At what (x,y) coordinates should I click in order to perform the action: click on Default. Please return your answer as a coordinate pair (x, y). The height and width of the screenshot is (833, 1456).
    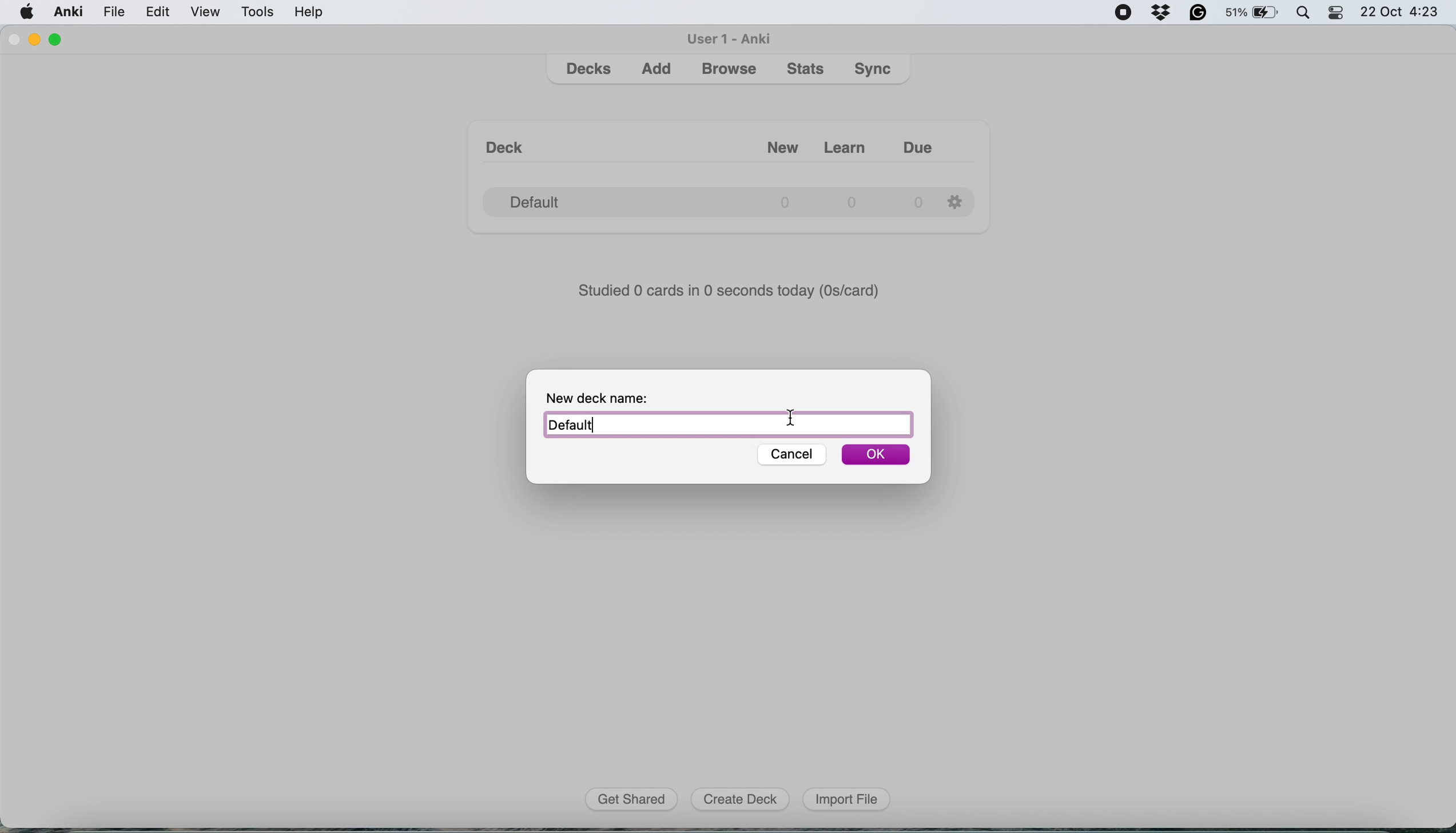
    Looking at the image, I should click on (702, 198).